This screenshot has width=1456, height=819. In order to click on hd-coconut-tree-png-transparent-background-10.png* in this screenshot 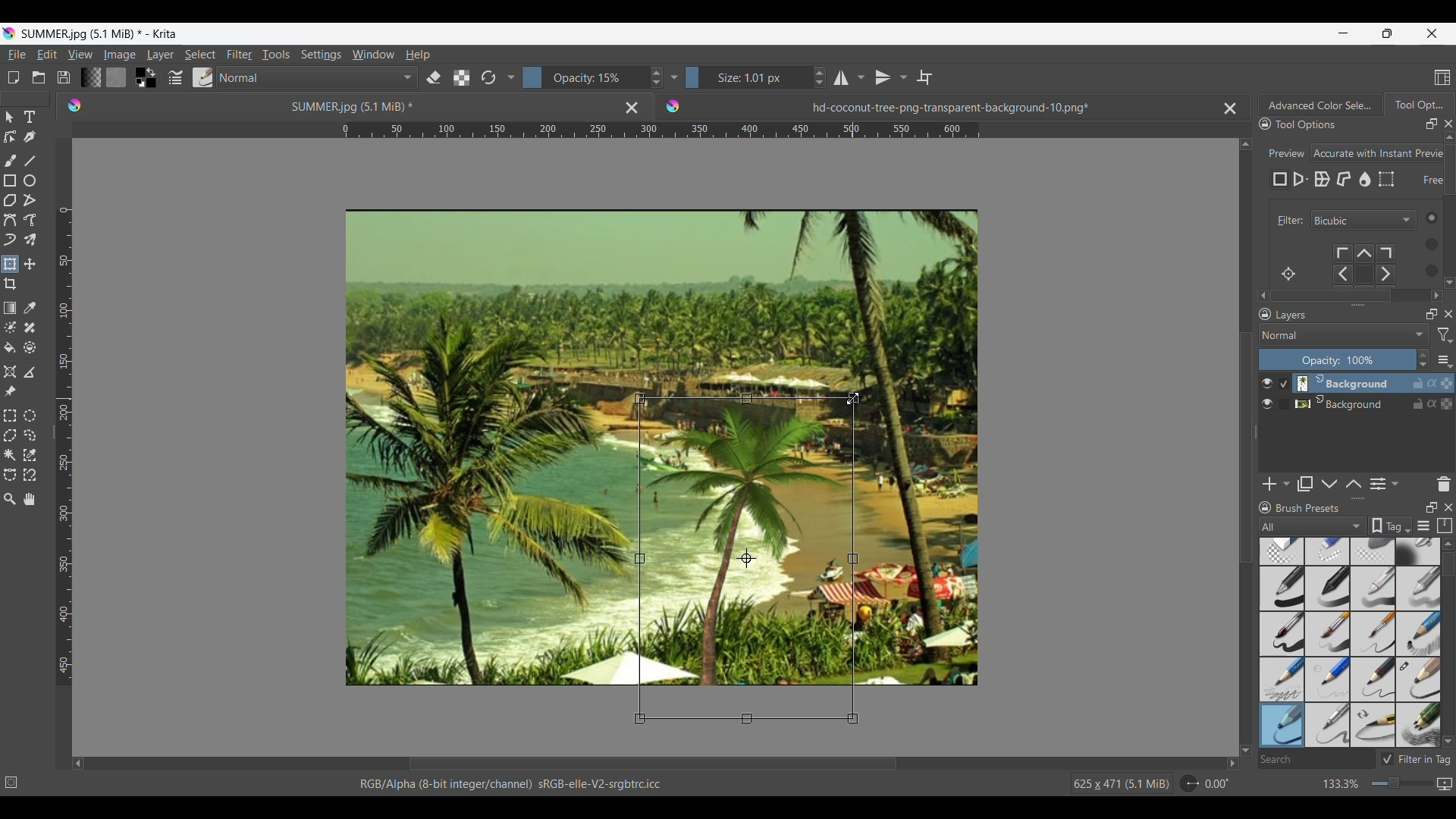, I will do `click(915, 103)`.